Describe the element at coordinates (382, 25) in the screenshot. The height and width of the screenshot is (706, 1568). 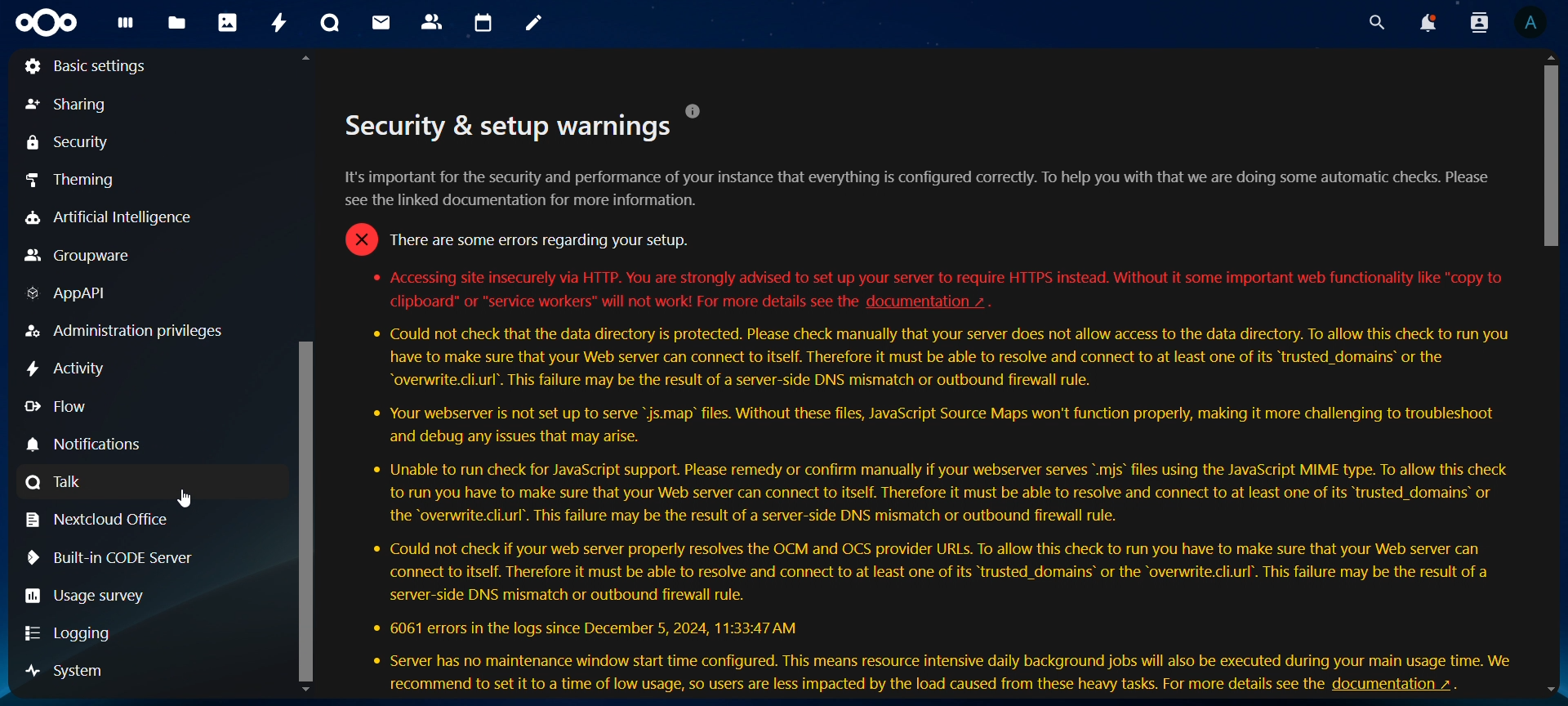
I see `mail` at that location.